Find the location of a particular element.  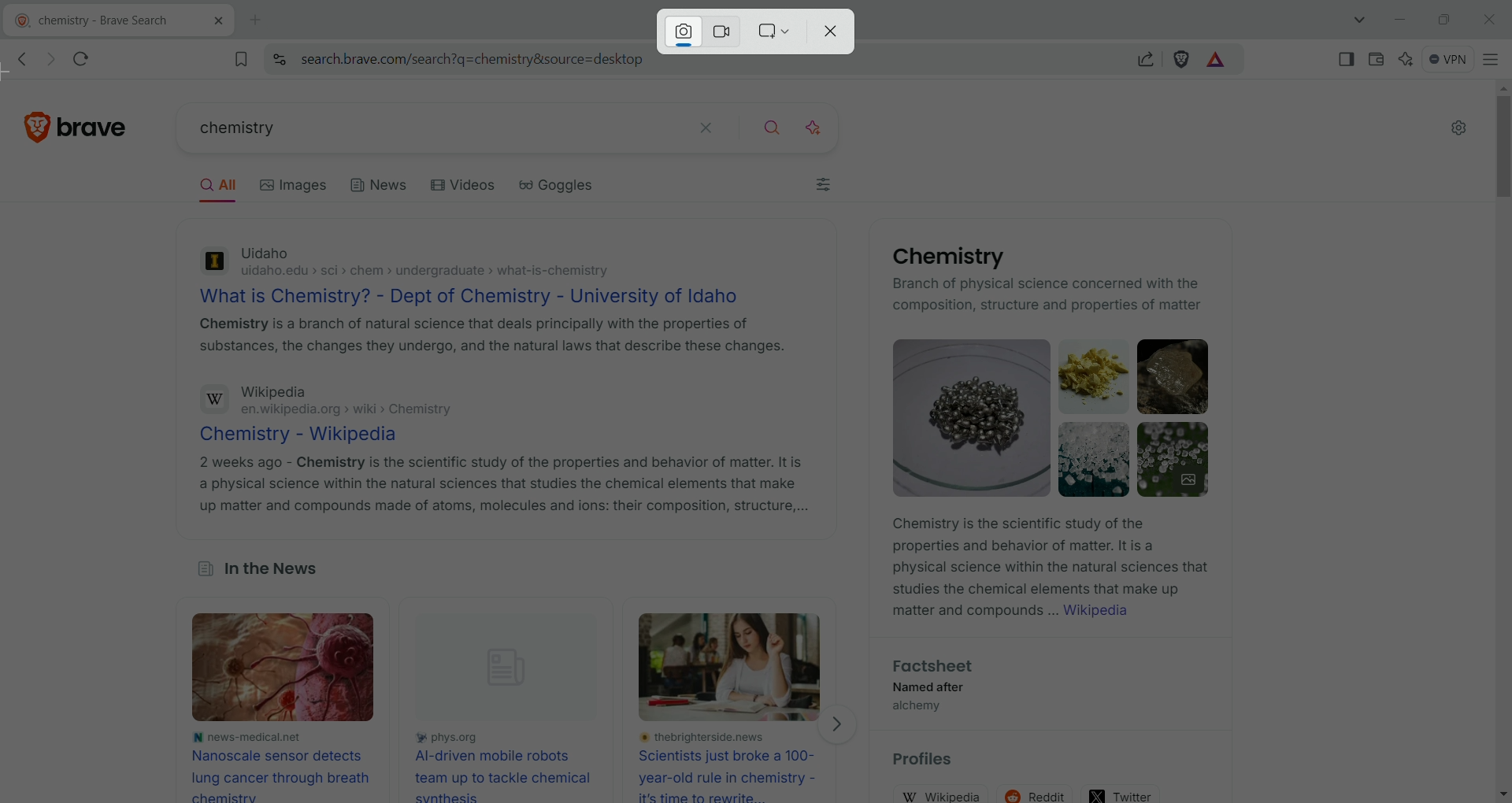

https://search.brave.com/search?q=chemistry&source=desktop is located at coordinates (472, 60).